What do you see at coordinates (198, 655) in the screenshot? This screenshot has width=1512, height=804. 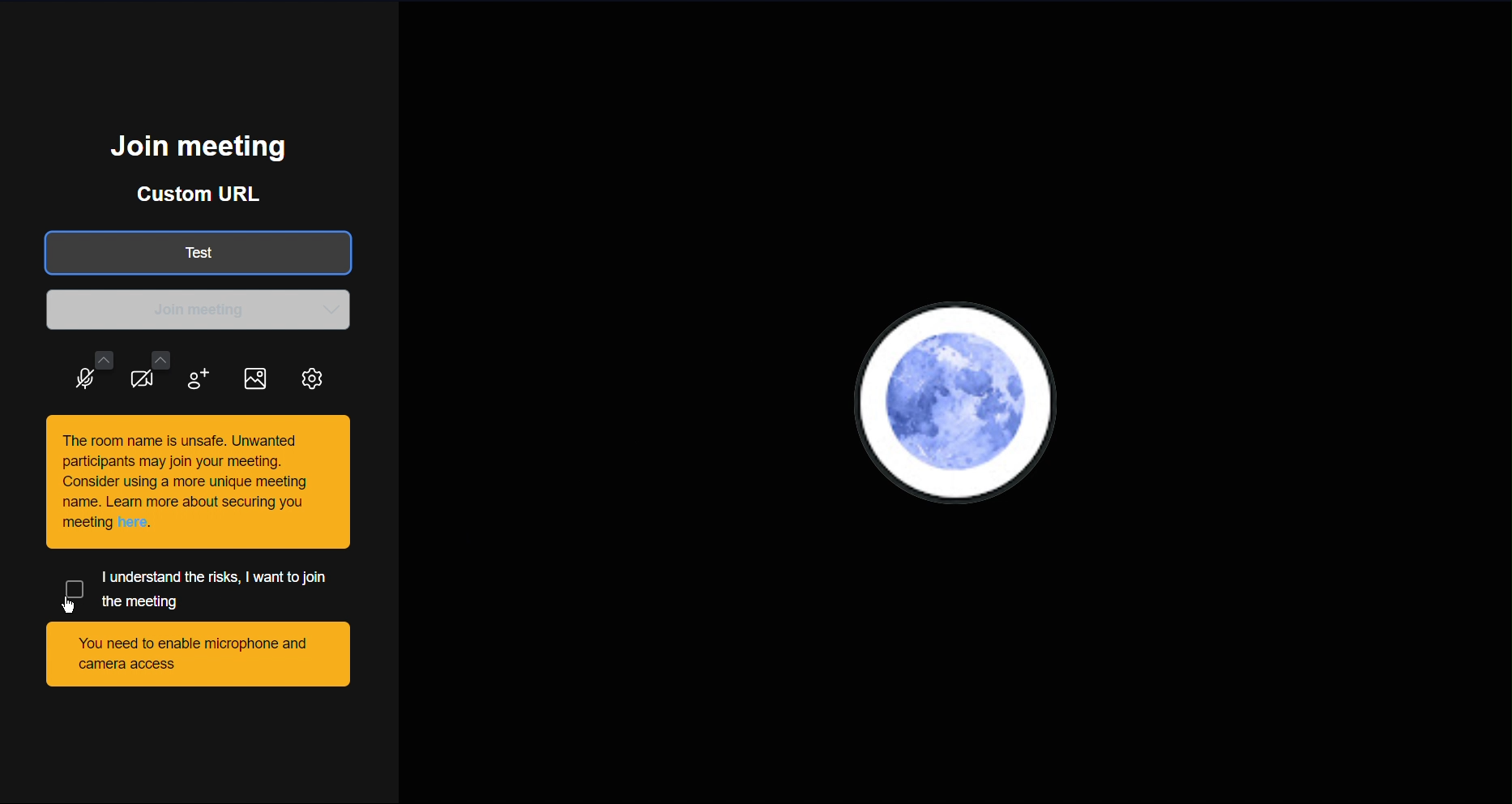 I see `You need to enable microphone and camera access` at bounding box center [198, 655].